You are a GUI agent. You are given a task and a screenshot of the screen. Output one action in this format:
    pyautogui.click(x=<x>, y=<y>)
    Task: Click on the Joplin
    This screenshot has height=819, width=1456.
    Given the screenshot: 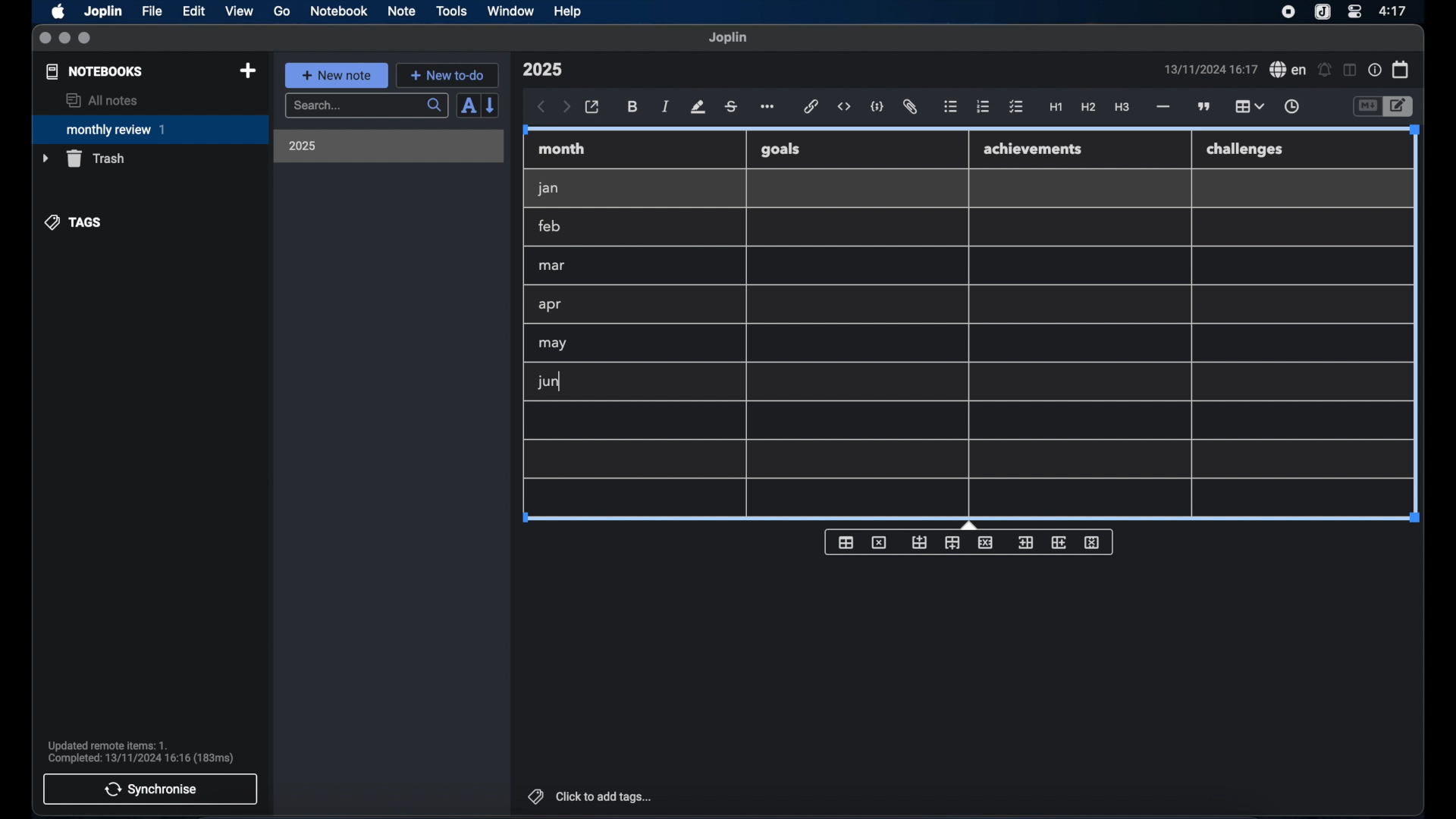 What is the action you would take?
    pyautogui.click(x=105, y=12)
    